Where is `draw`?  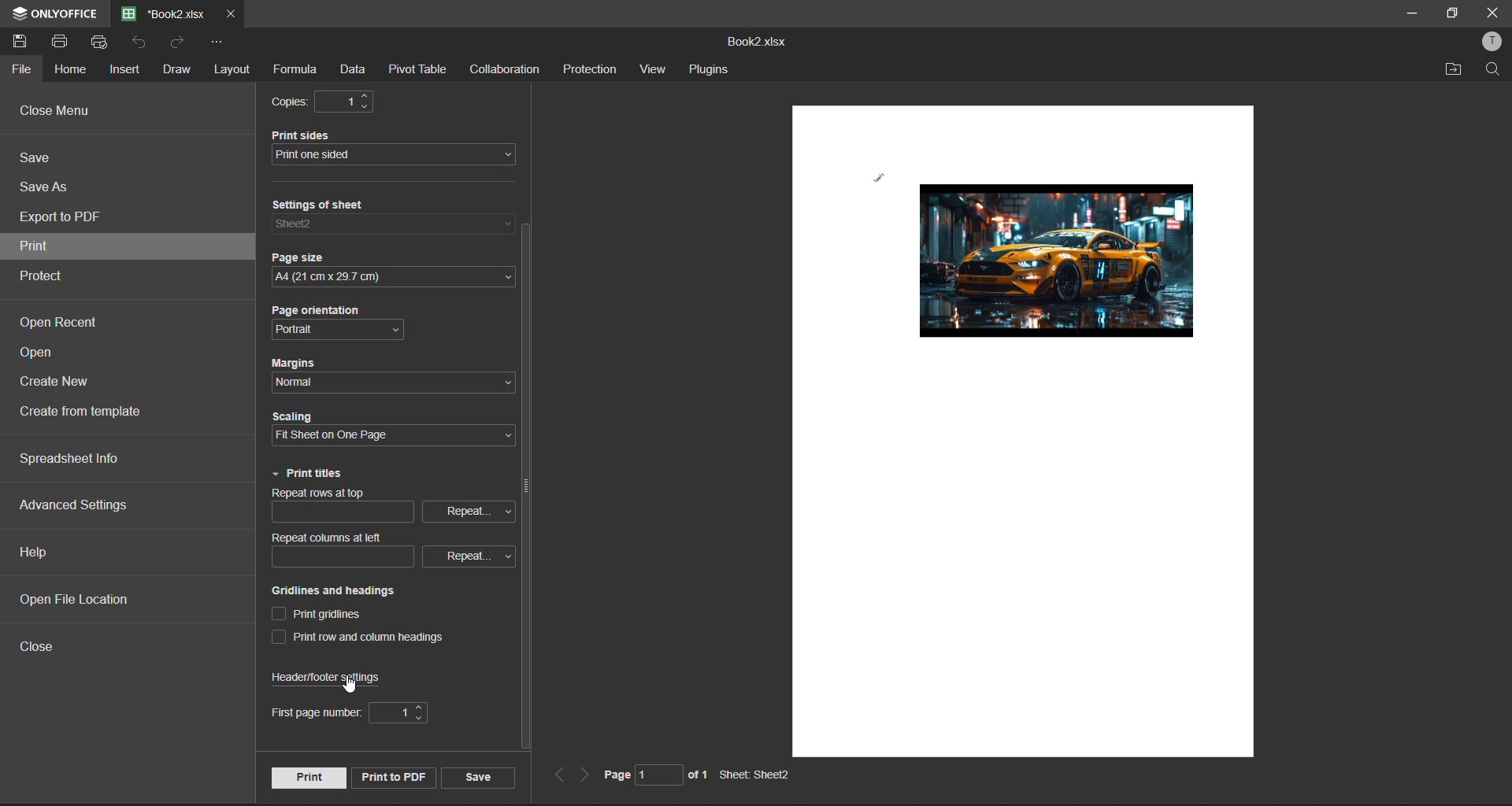 draw is located at coordinates (176, 68).